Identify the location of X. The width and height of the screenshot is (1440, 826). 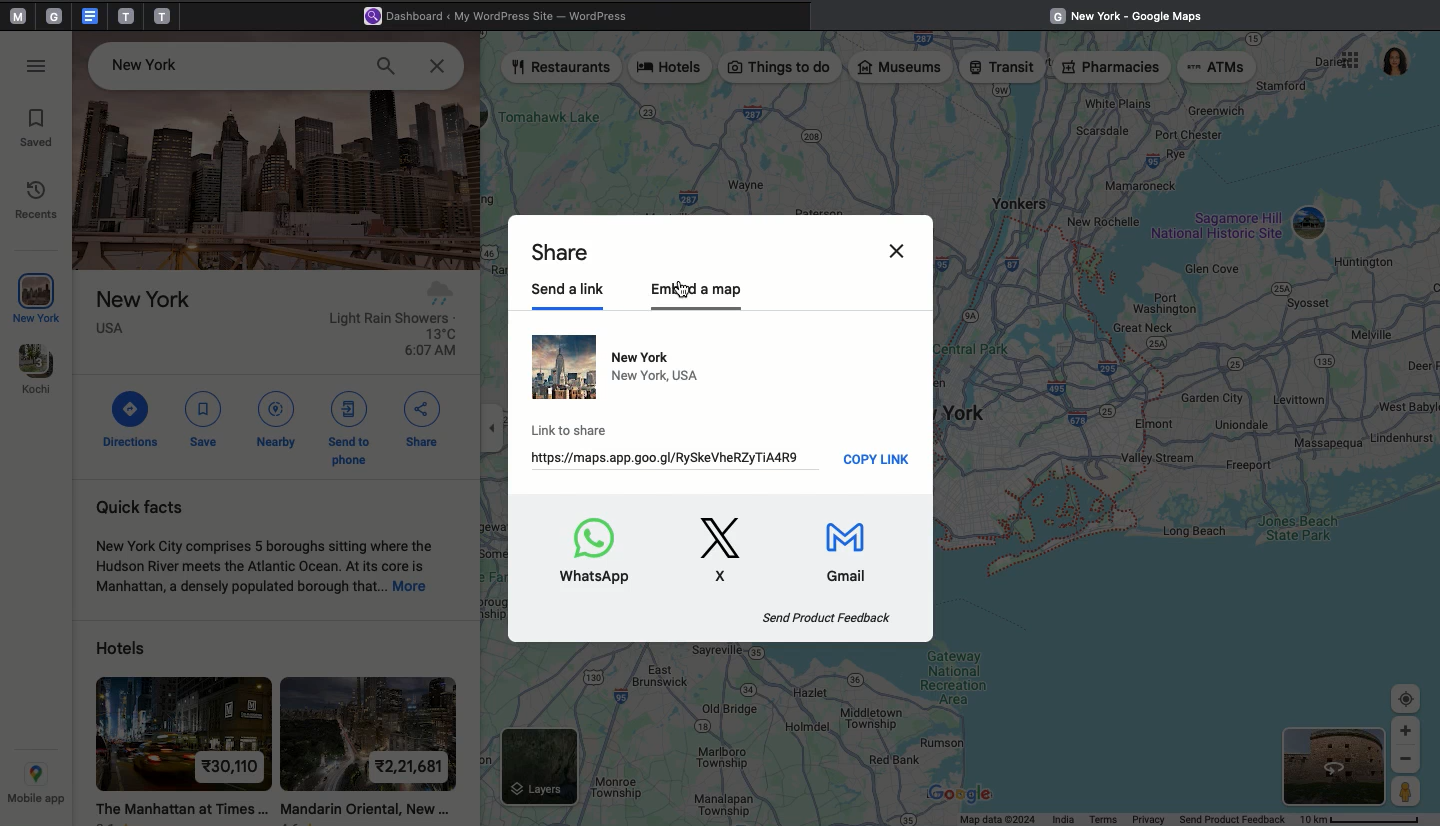
(726, 549).